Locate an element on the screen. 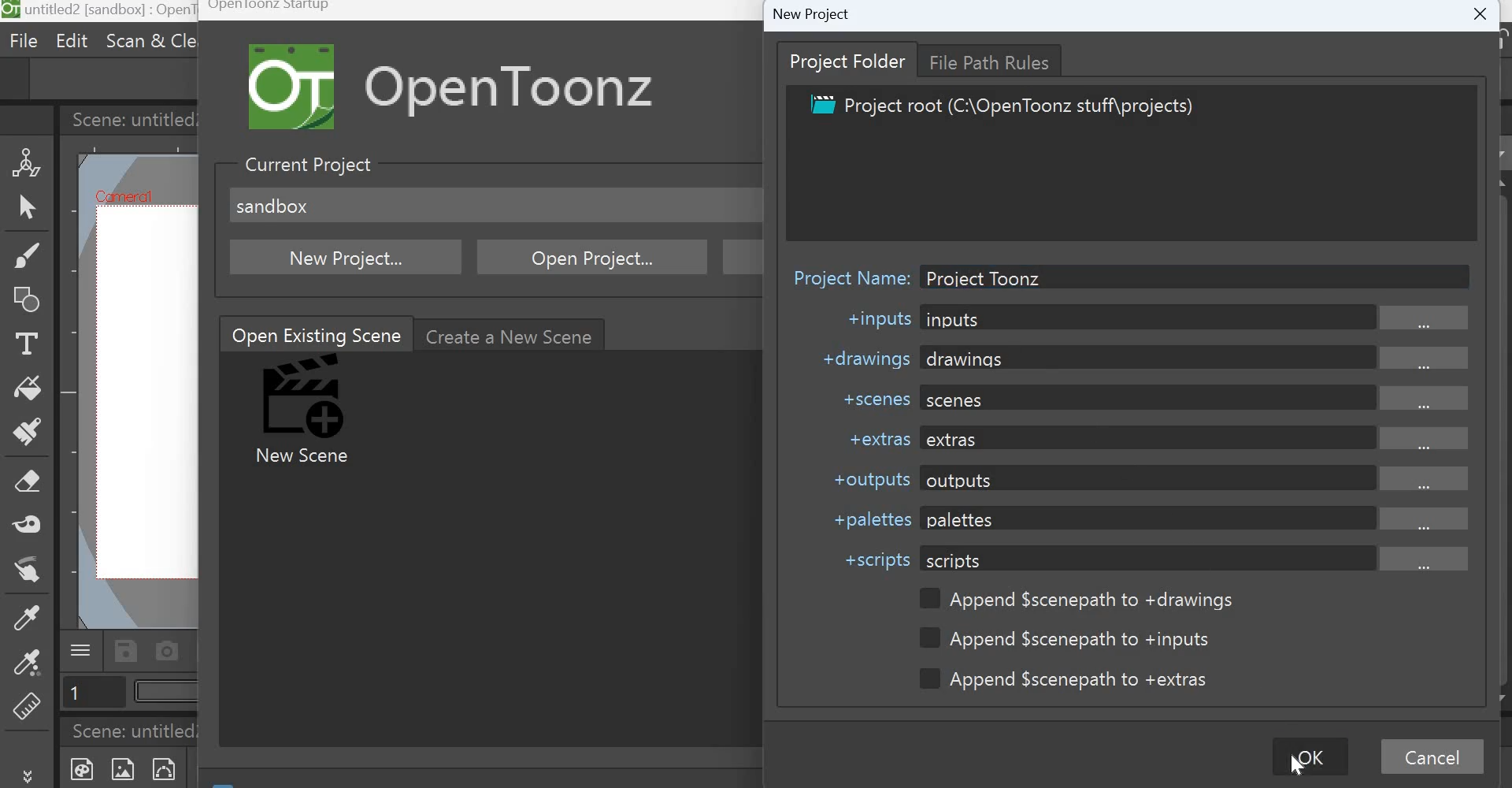 This screenshot has width=1512, height=788. RGB picker tool is located at coordinates (26, 667).